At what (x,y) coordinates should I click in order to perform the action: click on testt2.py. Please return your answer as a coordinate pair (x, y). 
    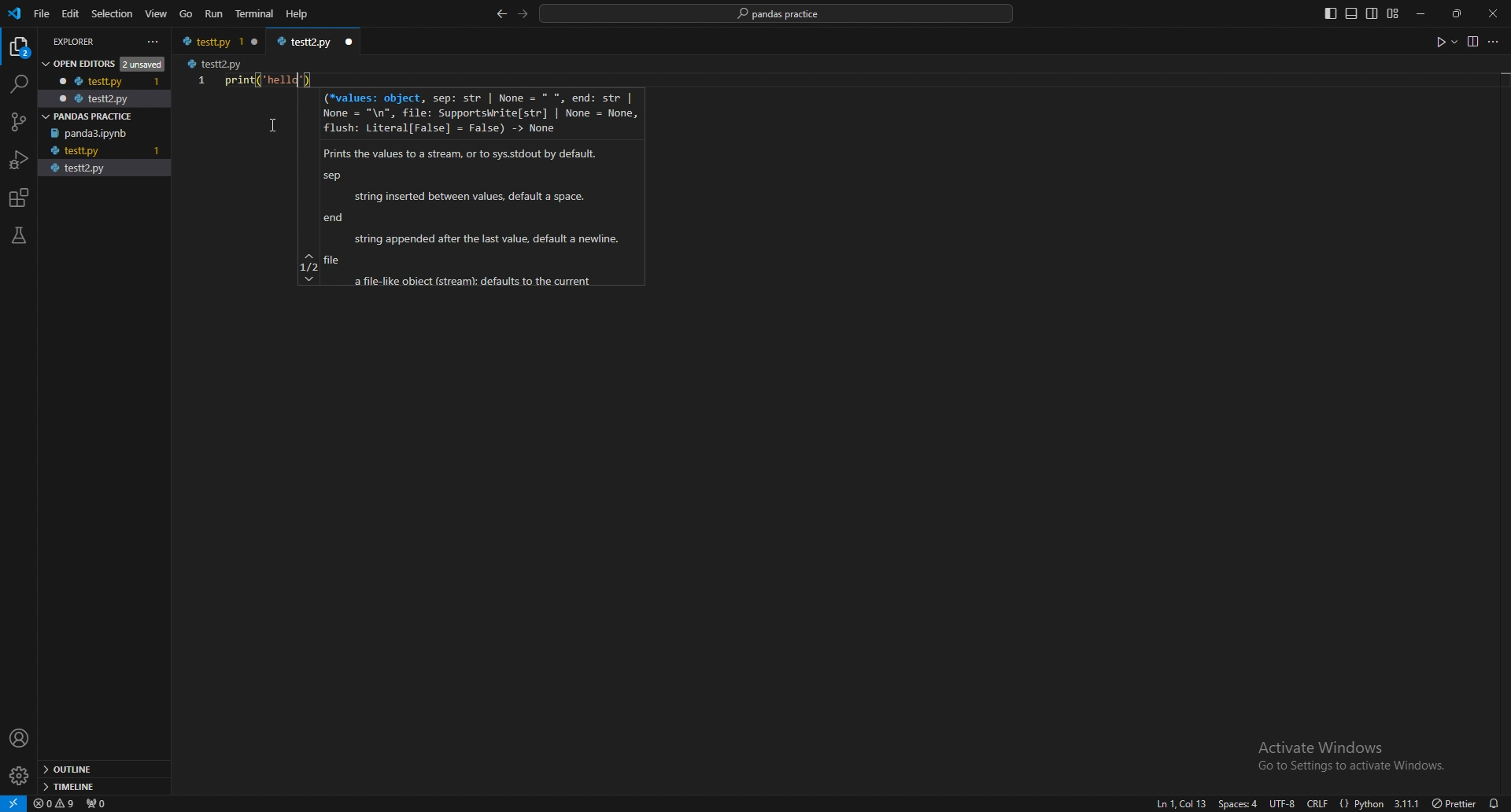
    Looking at the image, I should click on (98, 168).